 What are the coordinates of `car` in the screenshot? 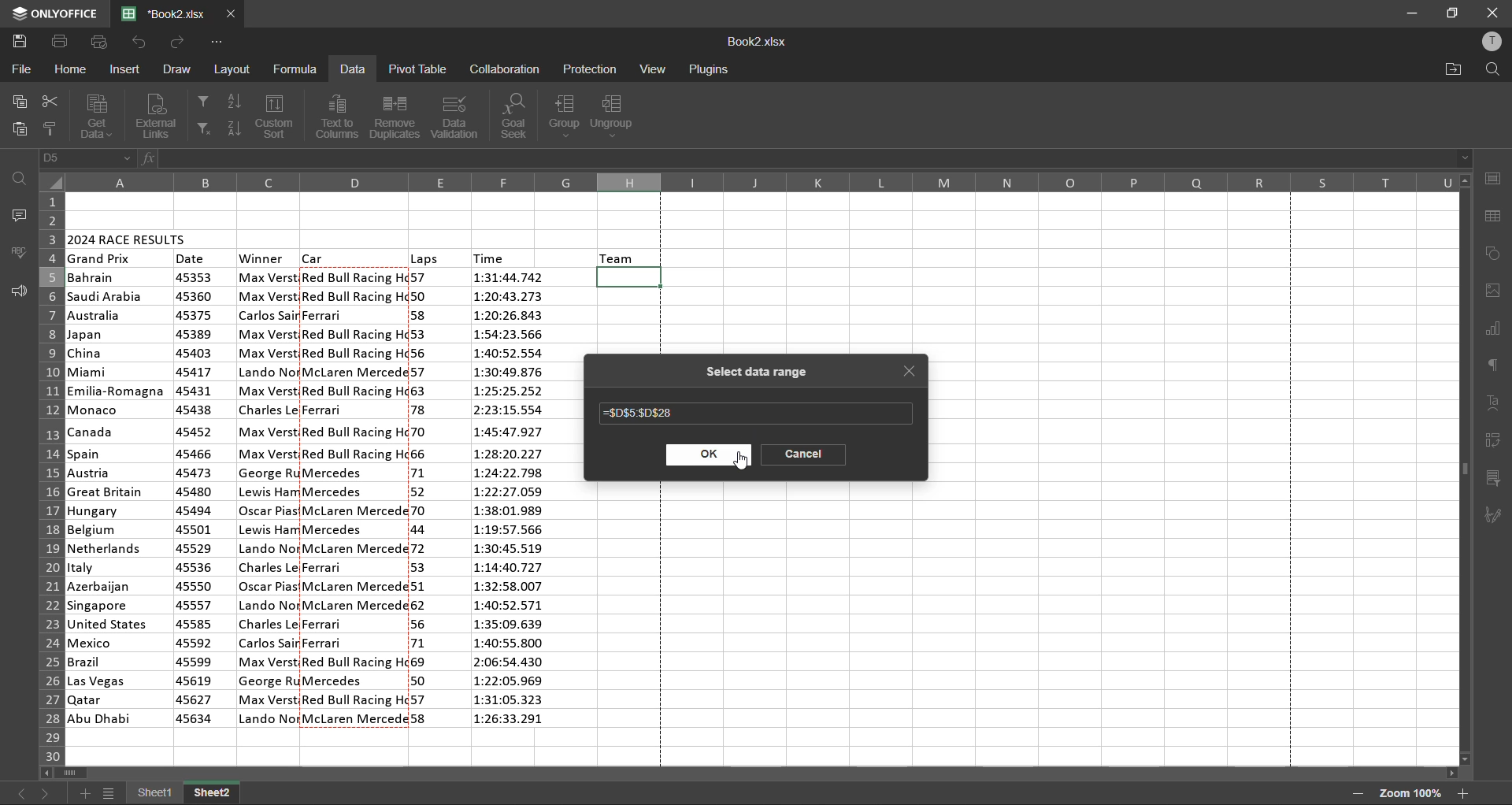 It's located at (354, 497).